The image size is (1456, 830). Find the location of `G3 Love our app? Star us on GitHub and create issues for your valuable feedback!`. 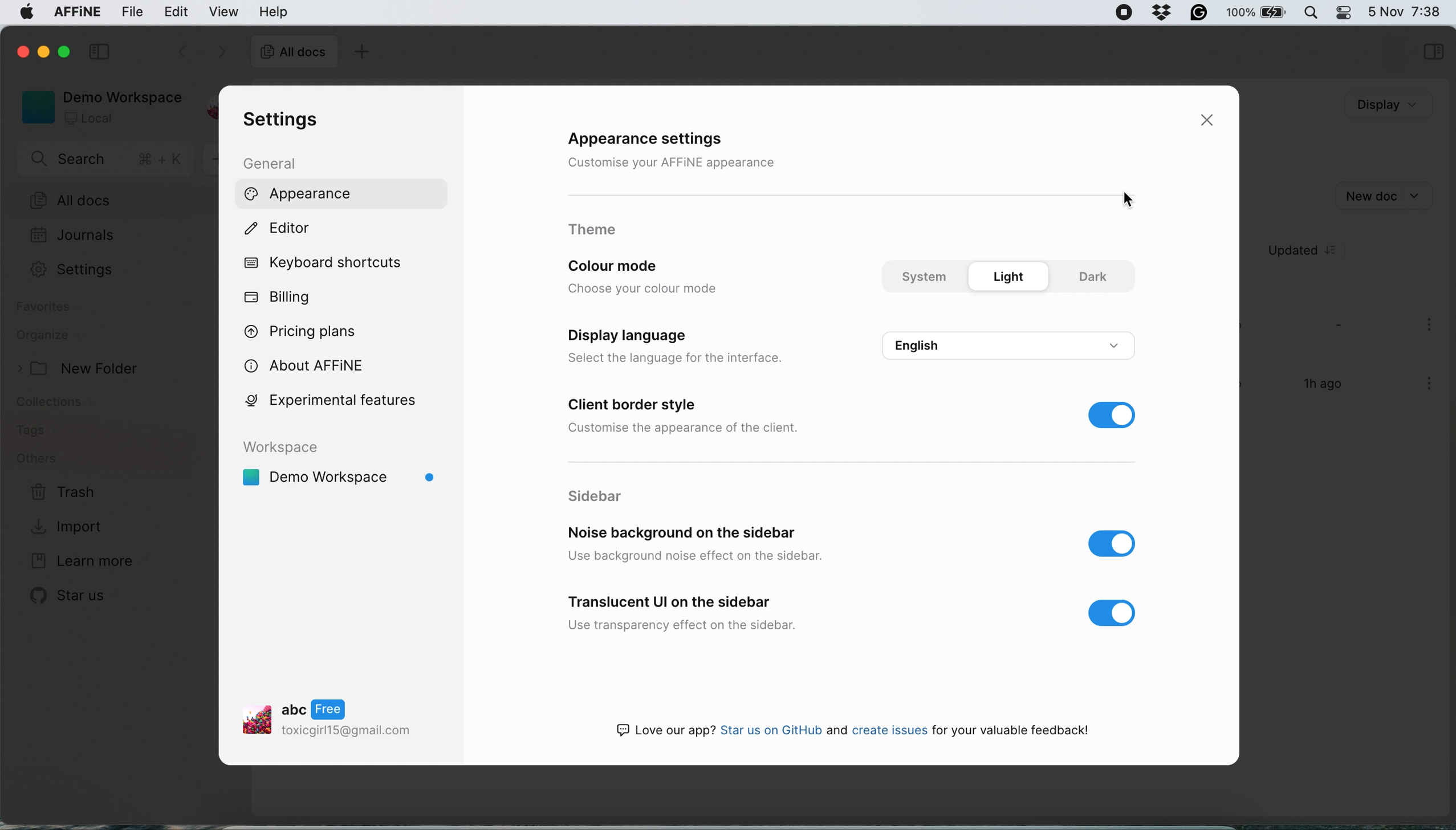

G3 Love our app? Star us on GitHub and create issues for your valuable feedback! is located at coordinates (848, 729).